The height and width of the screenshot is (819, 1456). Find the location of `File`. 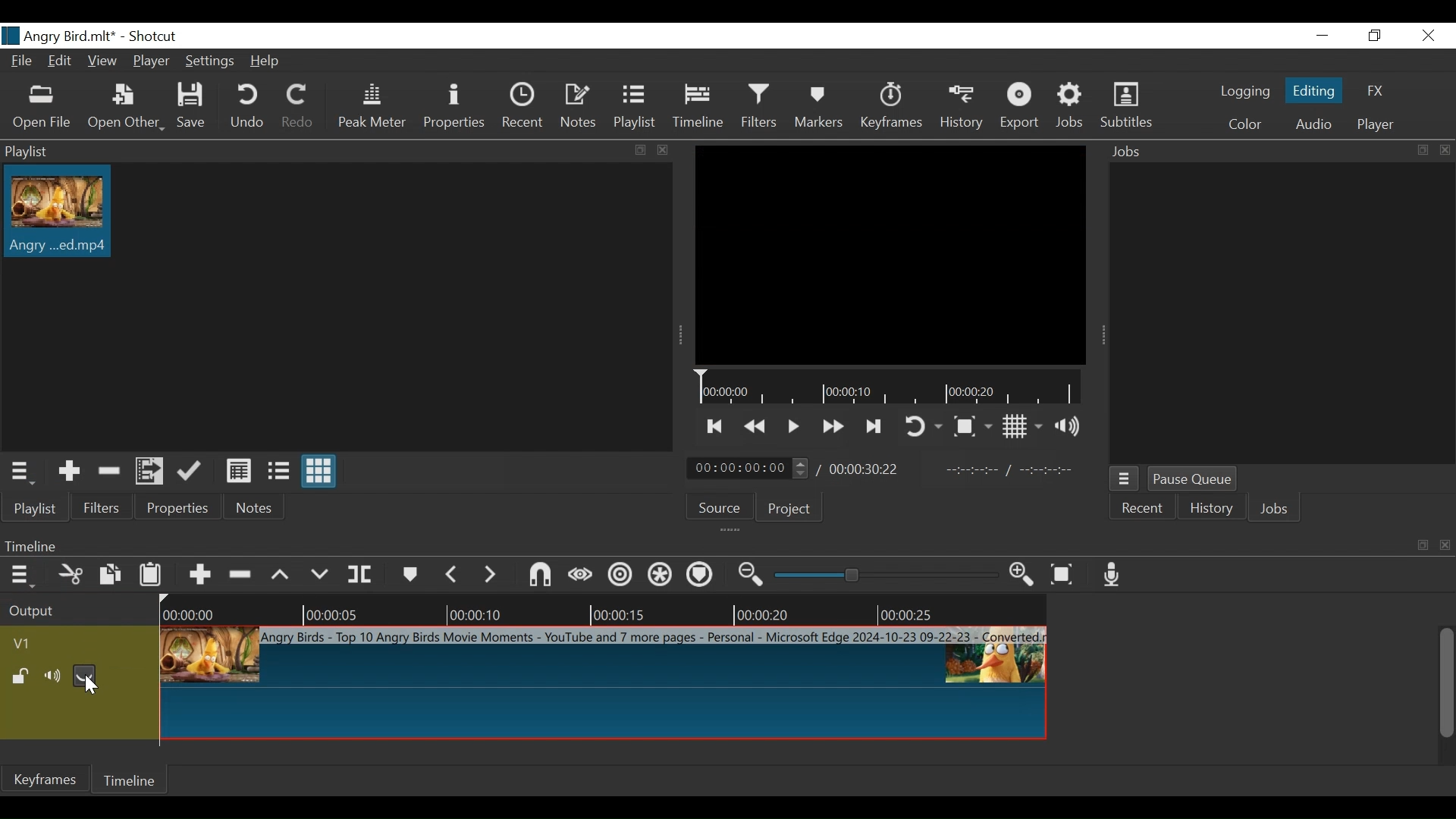

File is located at coordinates (20, 60).